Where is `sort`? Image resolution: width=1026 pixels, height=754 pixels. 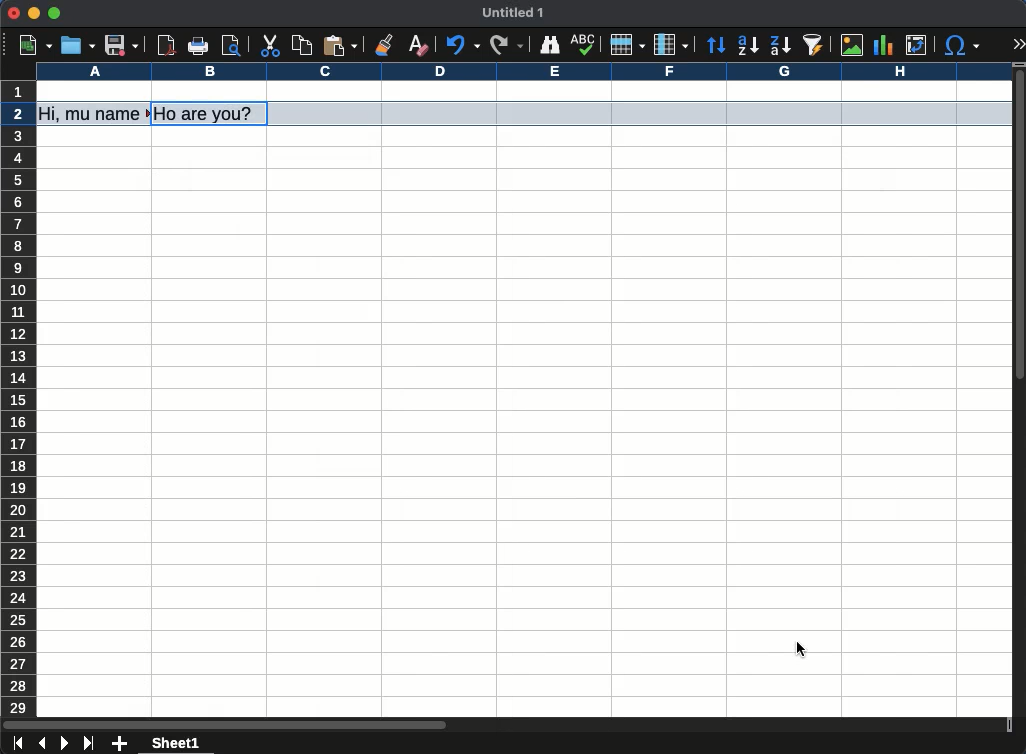 sort is located at coordinates (716, 46).